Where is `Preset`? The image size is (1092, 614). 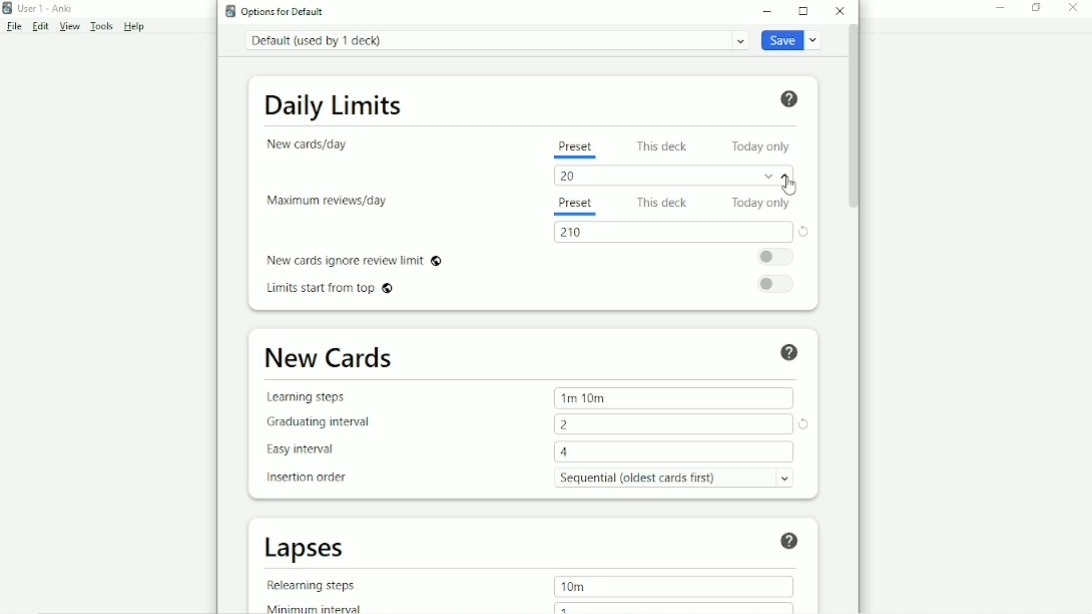
Preset is located at coordinates (574, 207).